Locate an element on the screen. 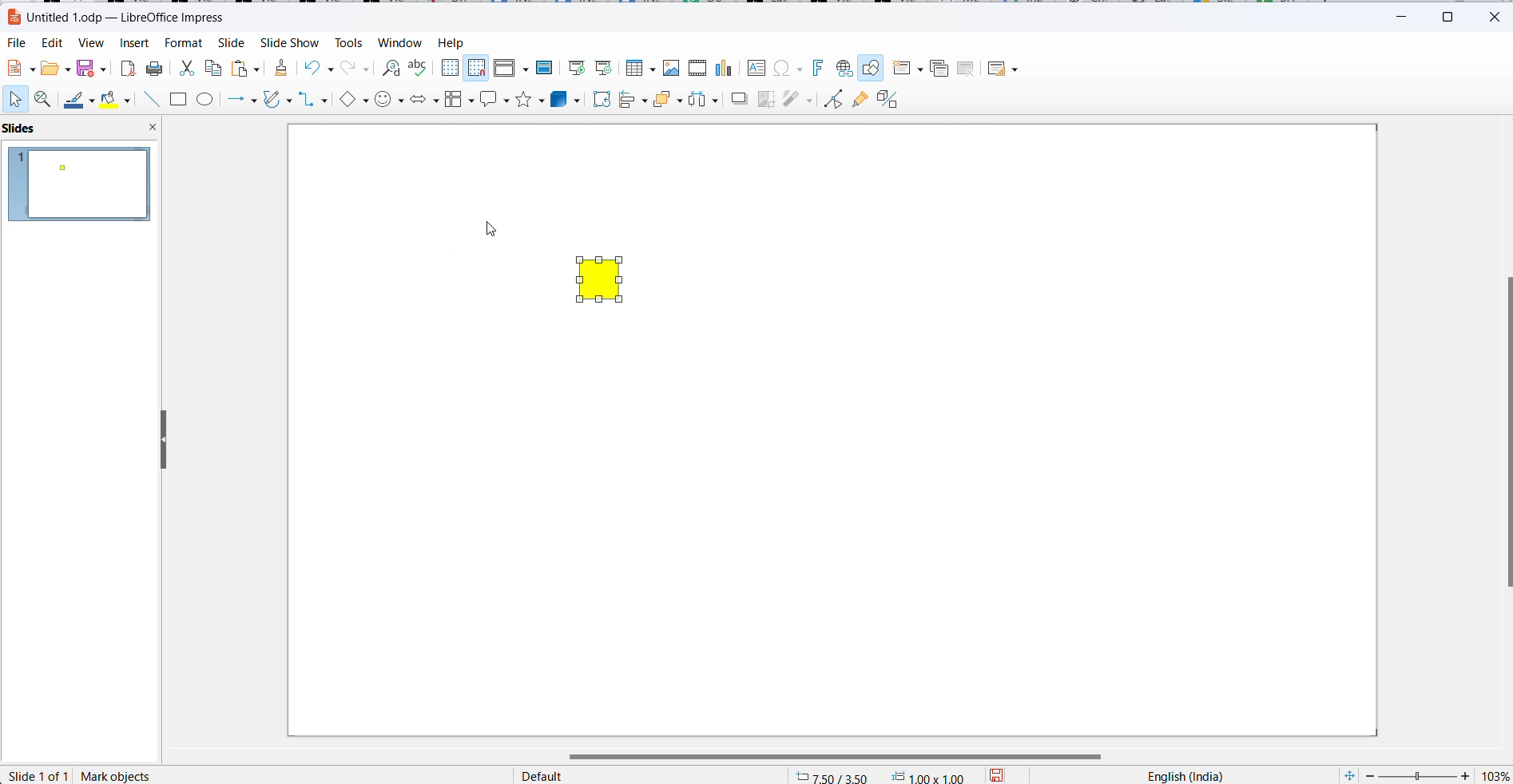  help is located at coordinates (451, 42).